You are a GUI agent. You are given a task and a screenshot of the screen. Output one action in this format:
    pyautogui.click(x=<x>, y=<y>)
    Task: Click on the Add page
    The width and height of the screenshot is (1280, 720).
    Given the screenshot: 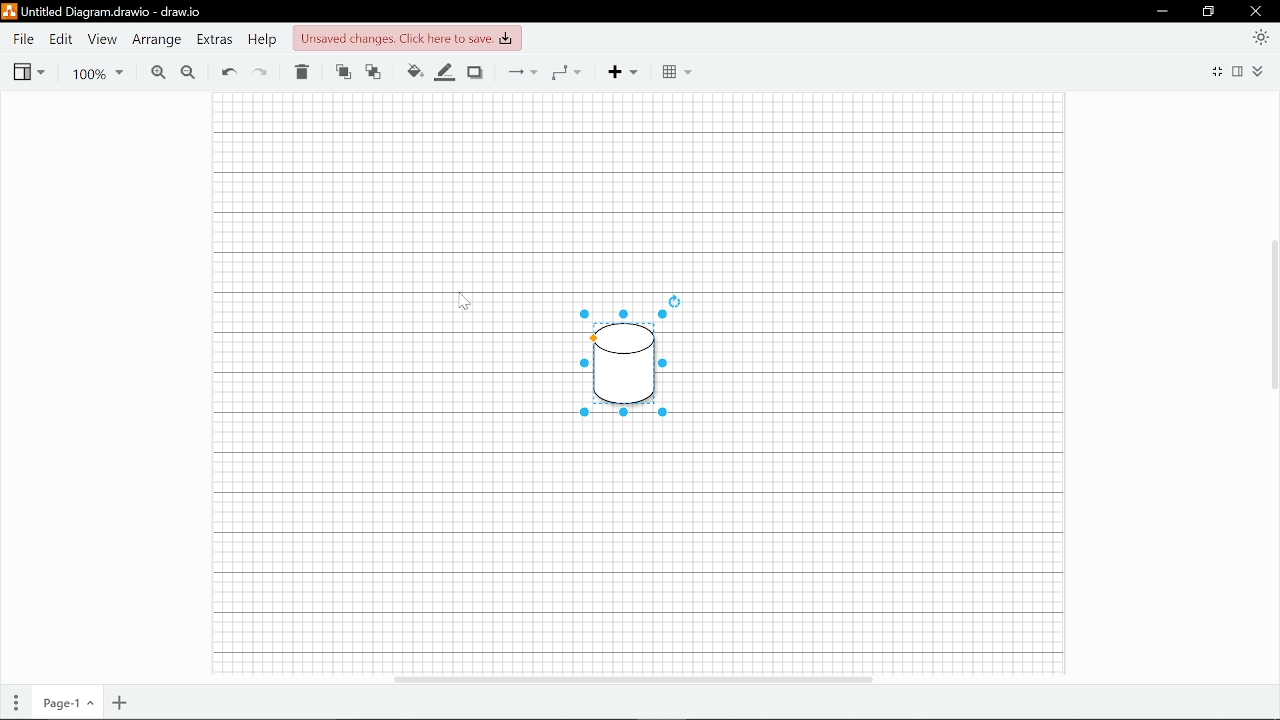 What is the action you would take?
    pyautogui.click(x=119, y=701)
    